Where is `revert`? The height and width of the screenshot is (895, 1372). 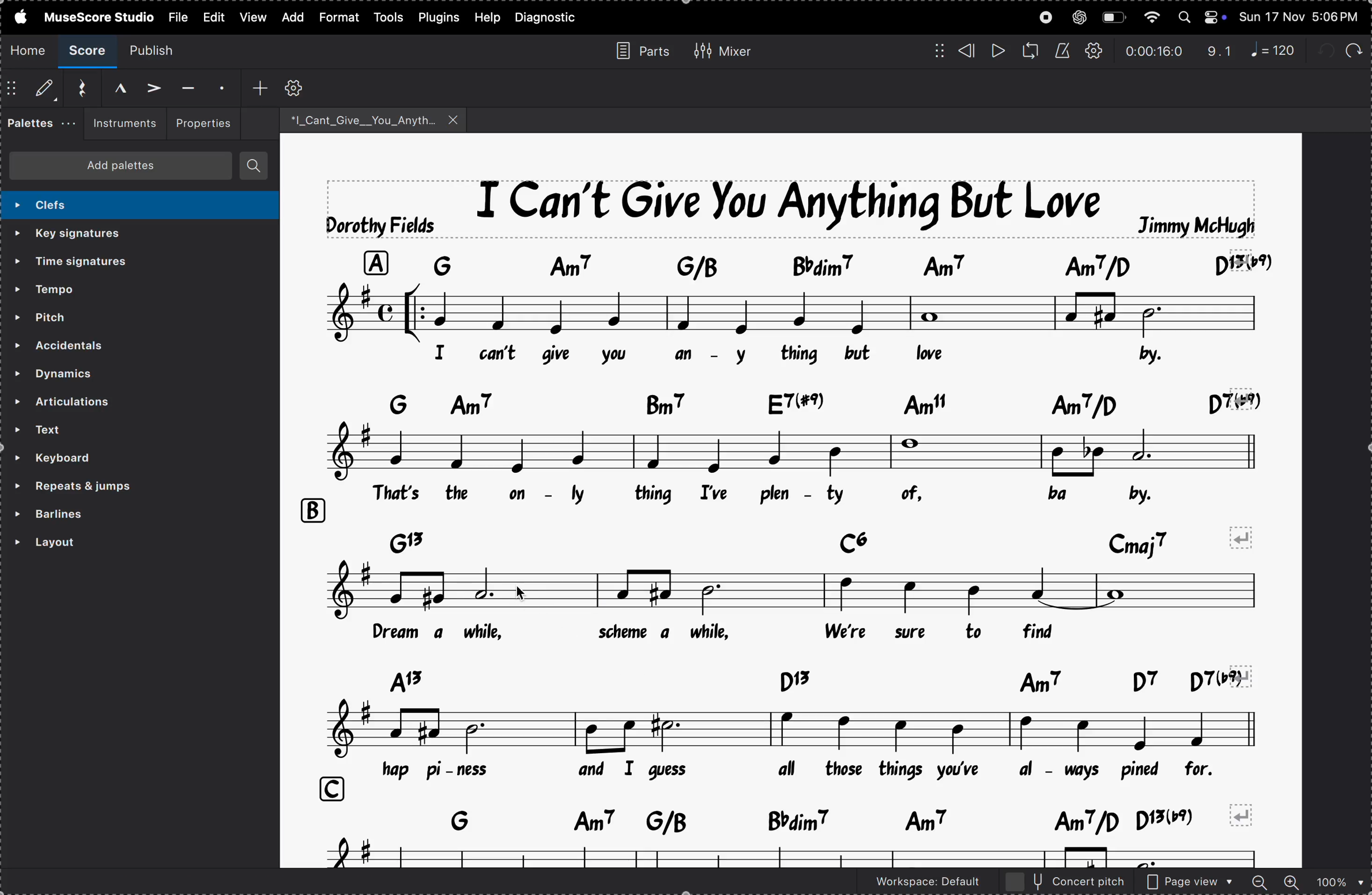 revert is located at coordinates (1245, 814).